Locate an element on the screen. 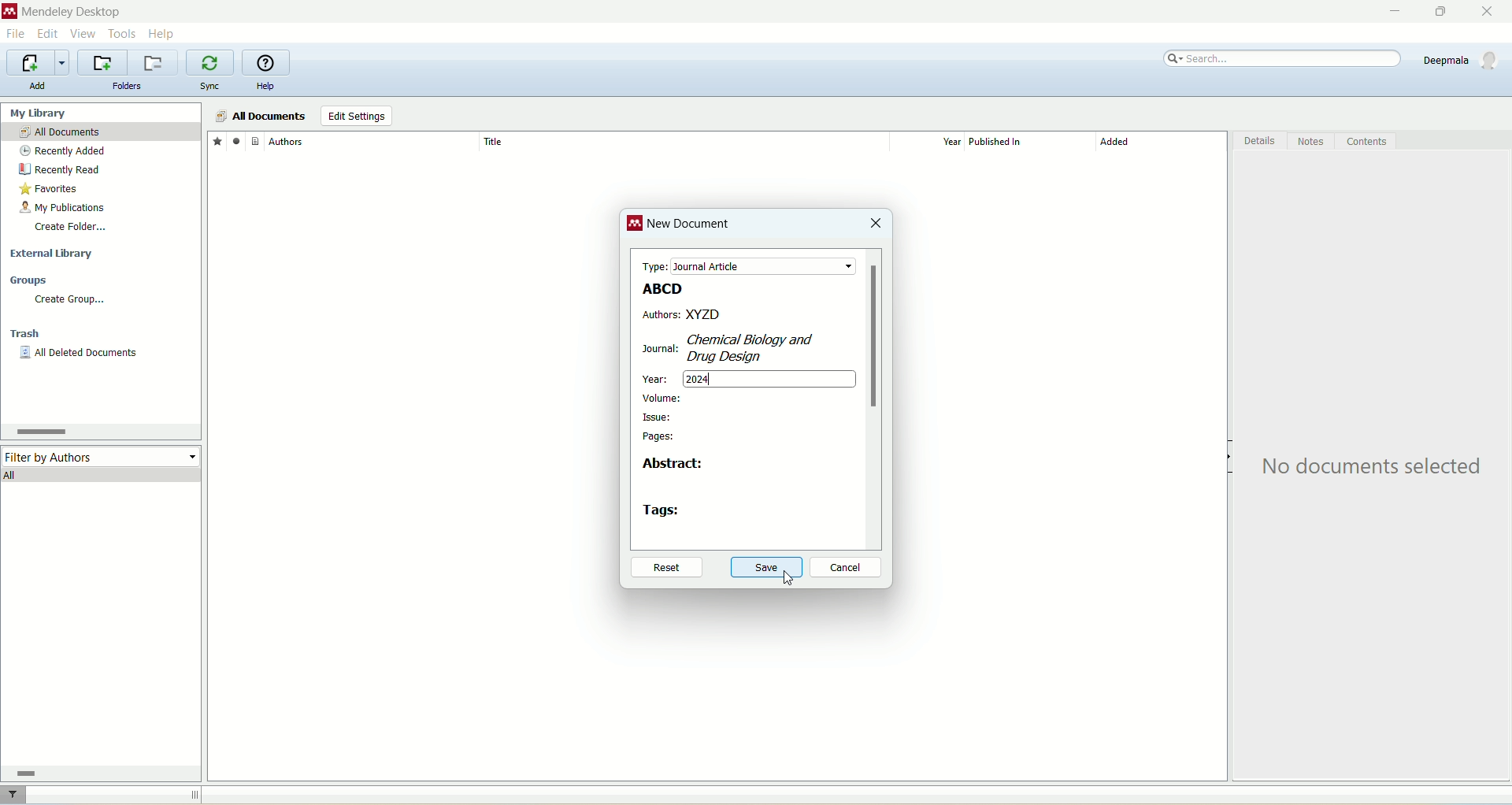 The image size is (1512, 805). help is located at coordinates (265, 87).